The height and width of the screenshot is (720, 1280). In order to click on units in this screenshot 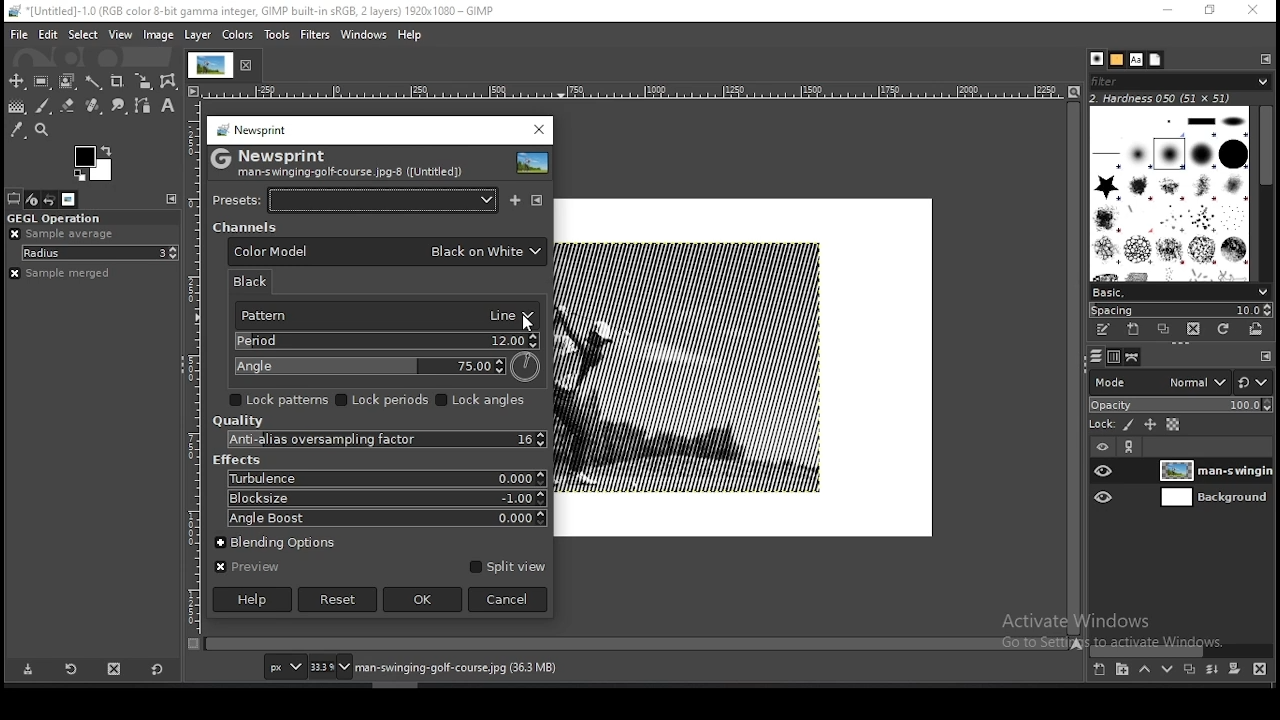, I will do `click(284, 667)`.